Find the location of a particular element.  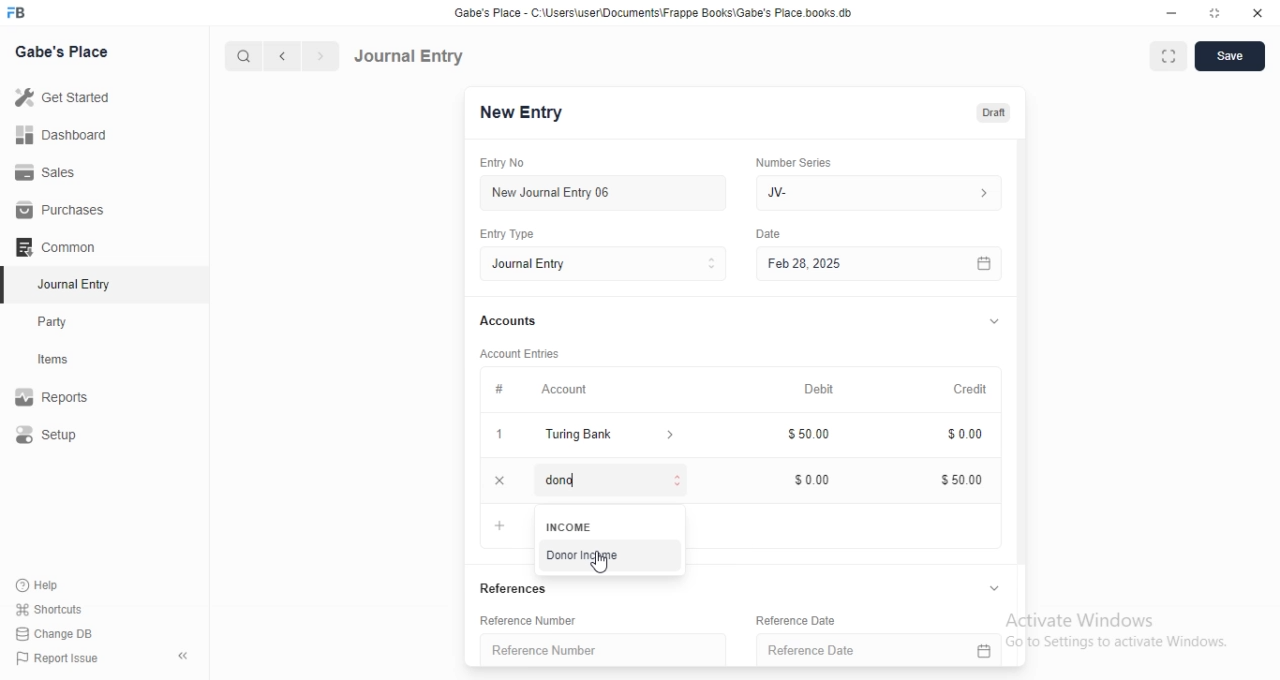

close is located at coordinates (497, 480).